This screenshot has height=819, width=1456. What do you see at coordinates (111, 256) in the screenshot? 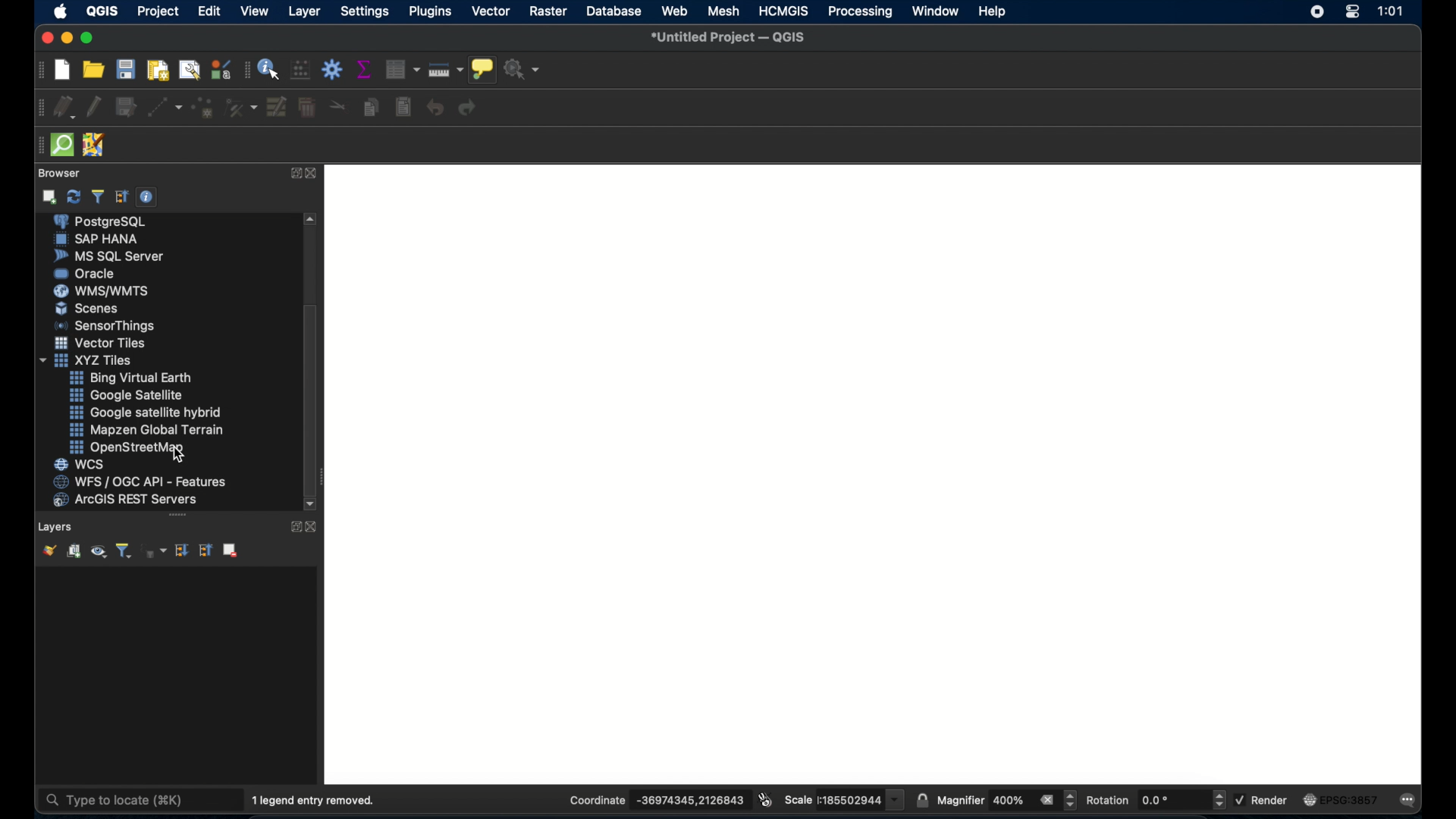
I see `ms sql server` at bounding box center [111, 256].